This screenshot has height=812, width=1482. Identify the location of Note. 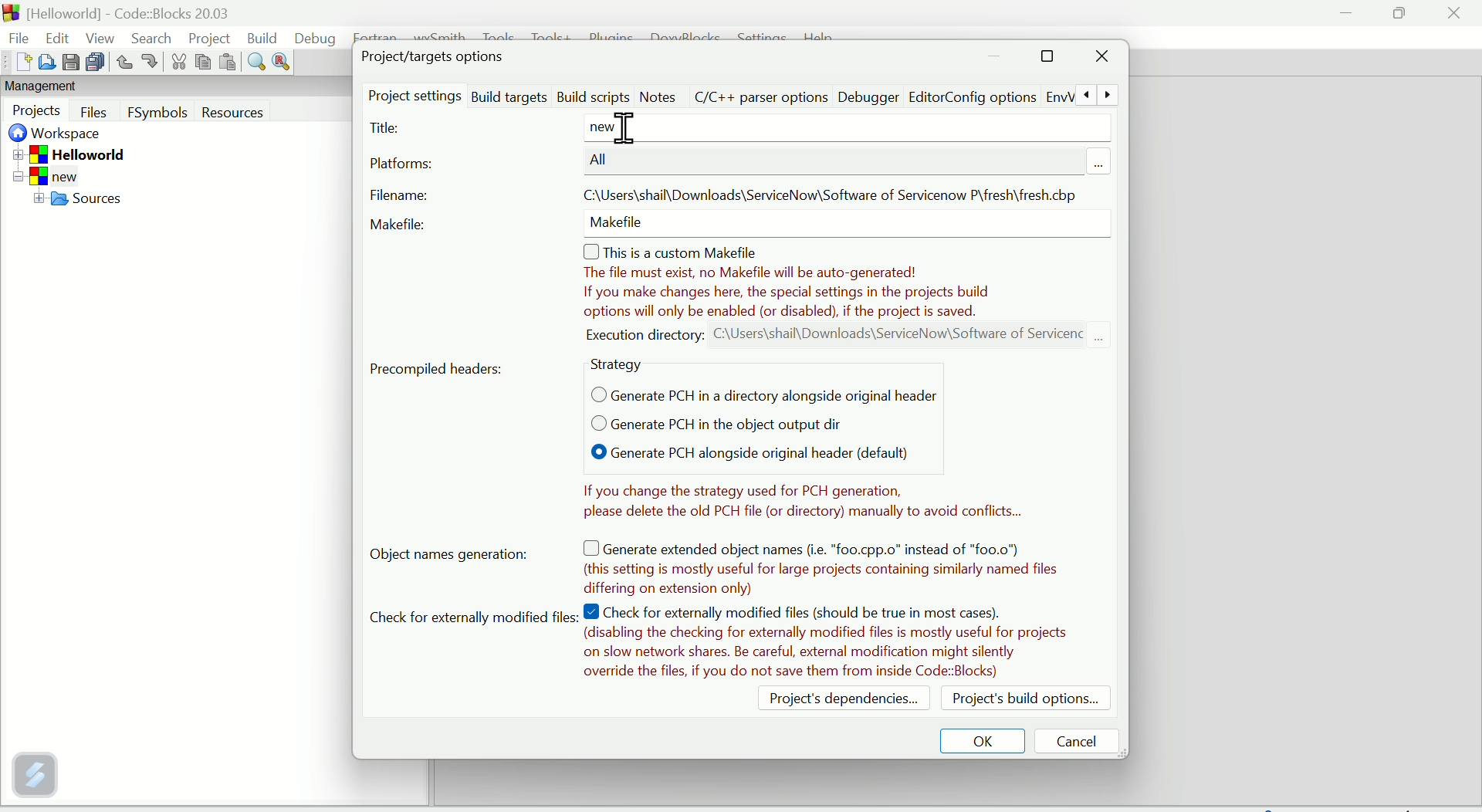
(827, 643).